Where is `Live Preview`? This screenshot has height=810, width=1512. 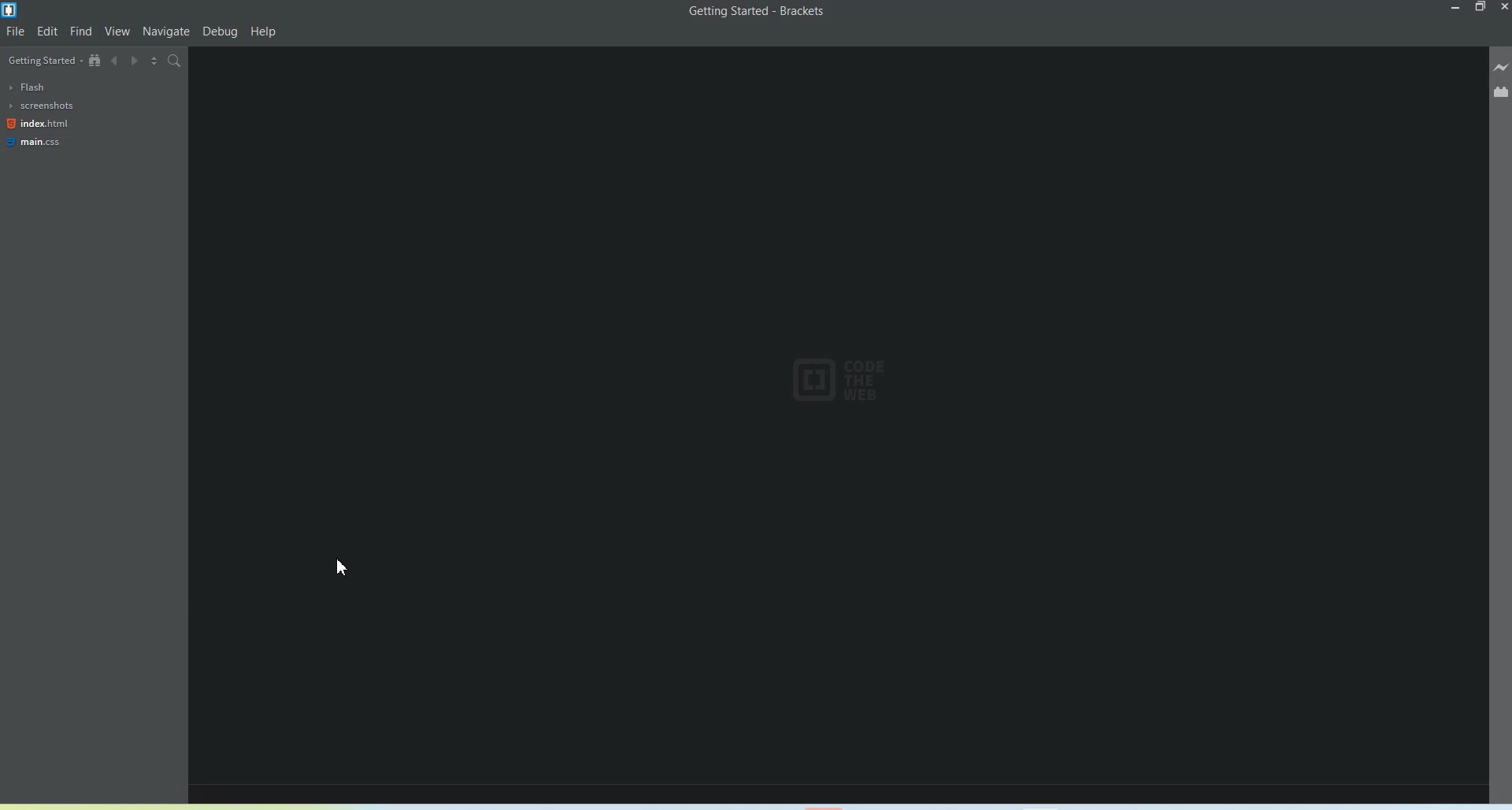
Live Preview is located at coordinates (1501, 66).